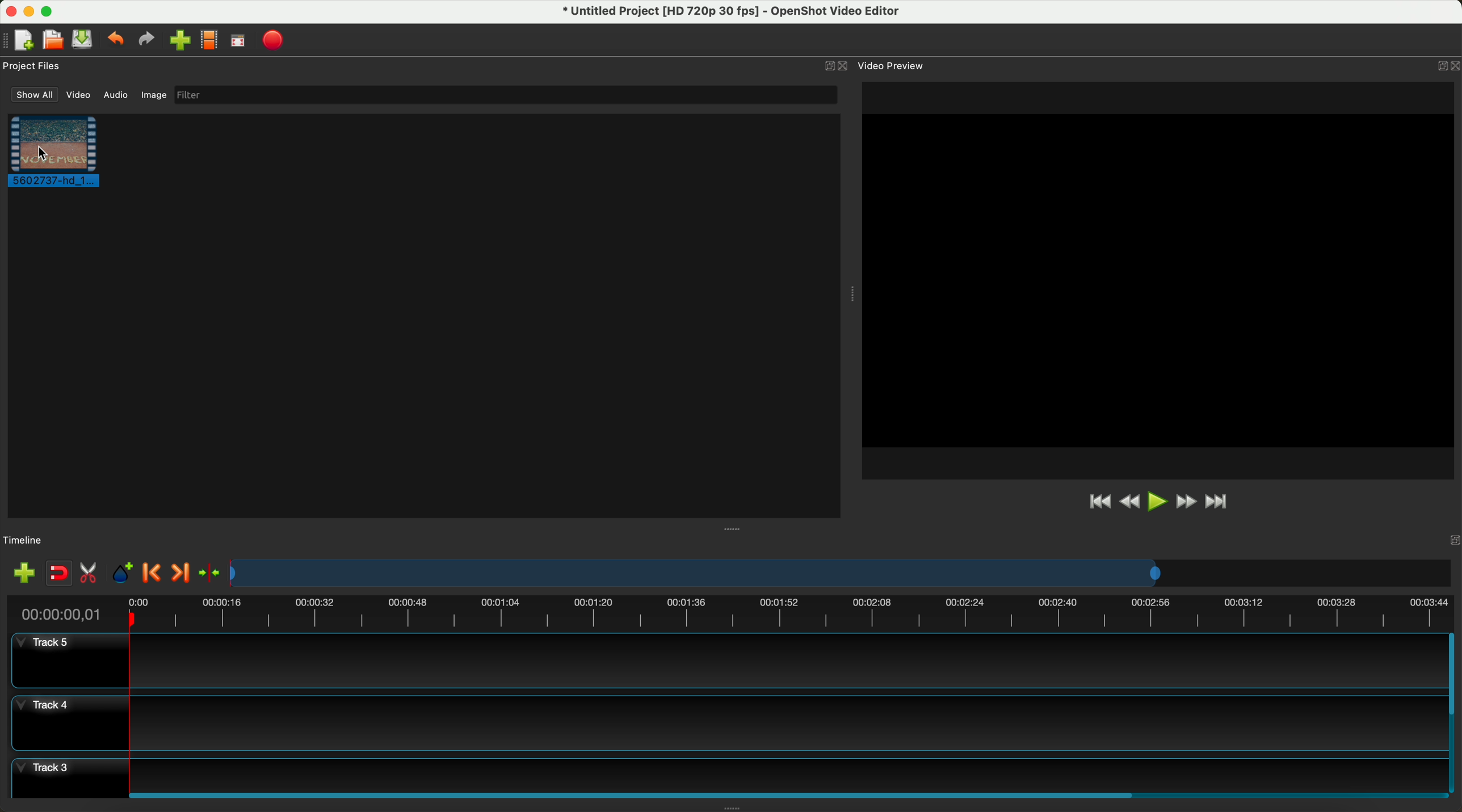 Image resolution: width=1462 pixels, height=812 pixels. I want to click on timeline, so click(734, 613).